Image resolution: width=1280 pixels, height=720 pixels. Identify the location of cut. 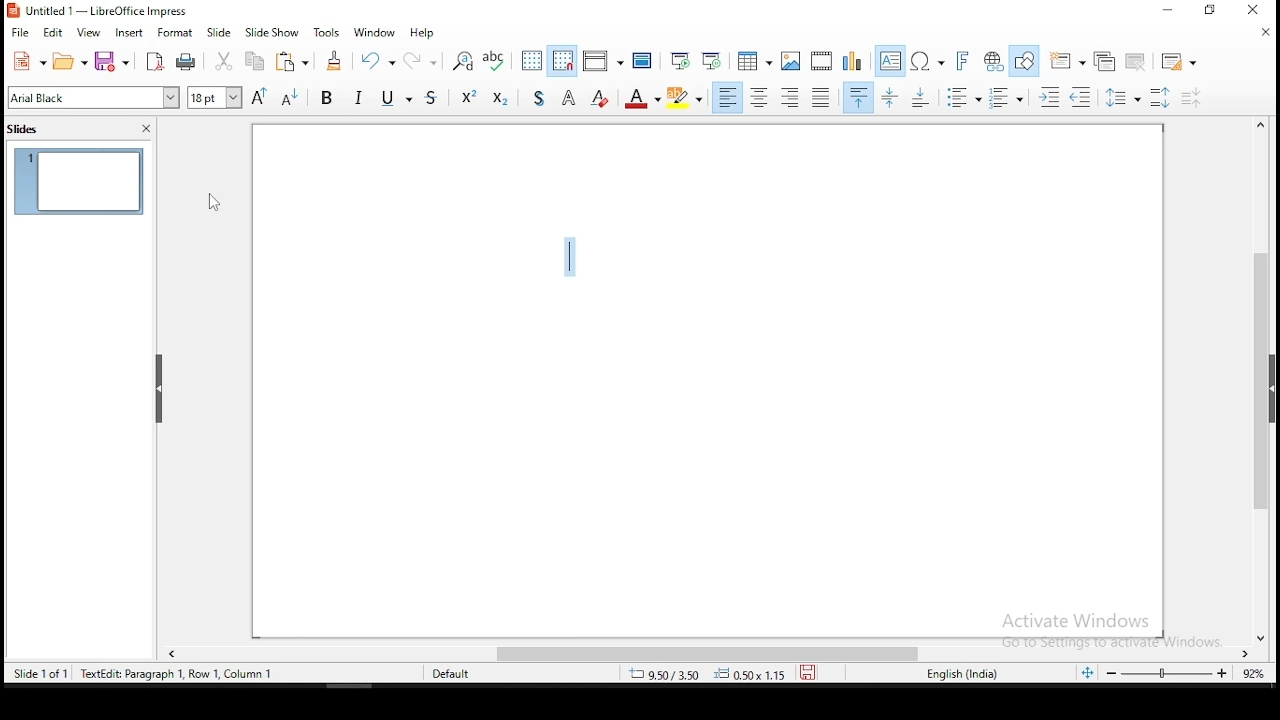
(225, 61).